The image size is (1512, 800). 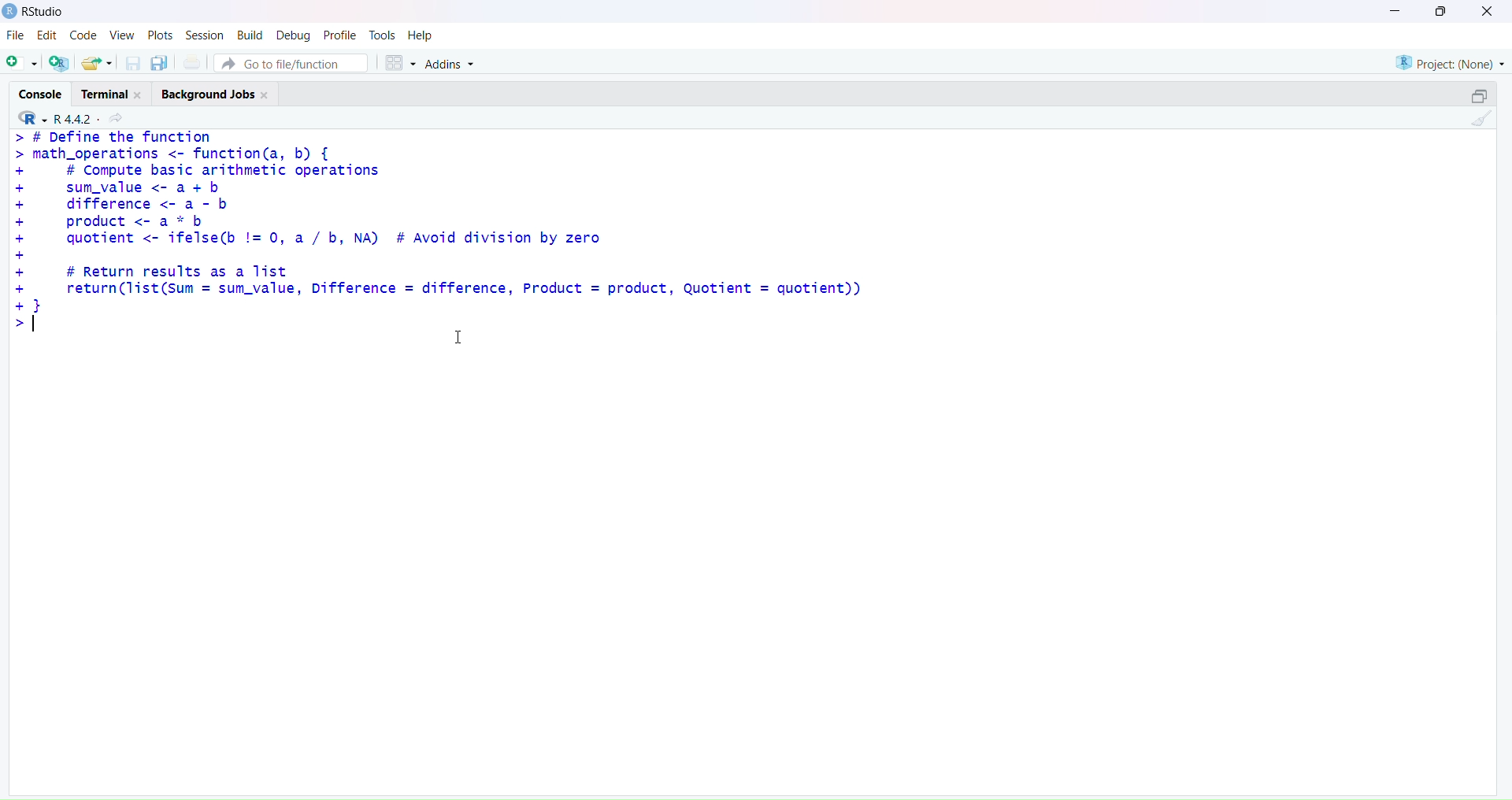 What do you see at coordinates (43, 37) in the screenshot?
I see `Edit` at bounding box center [43, 37].